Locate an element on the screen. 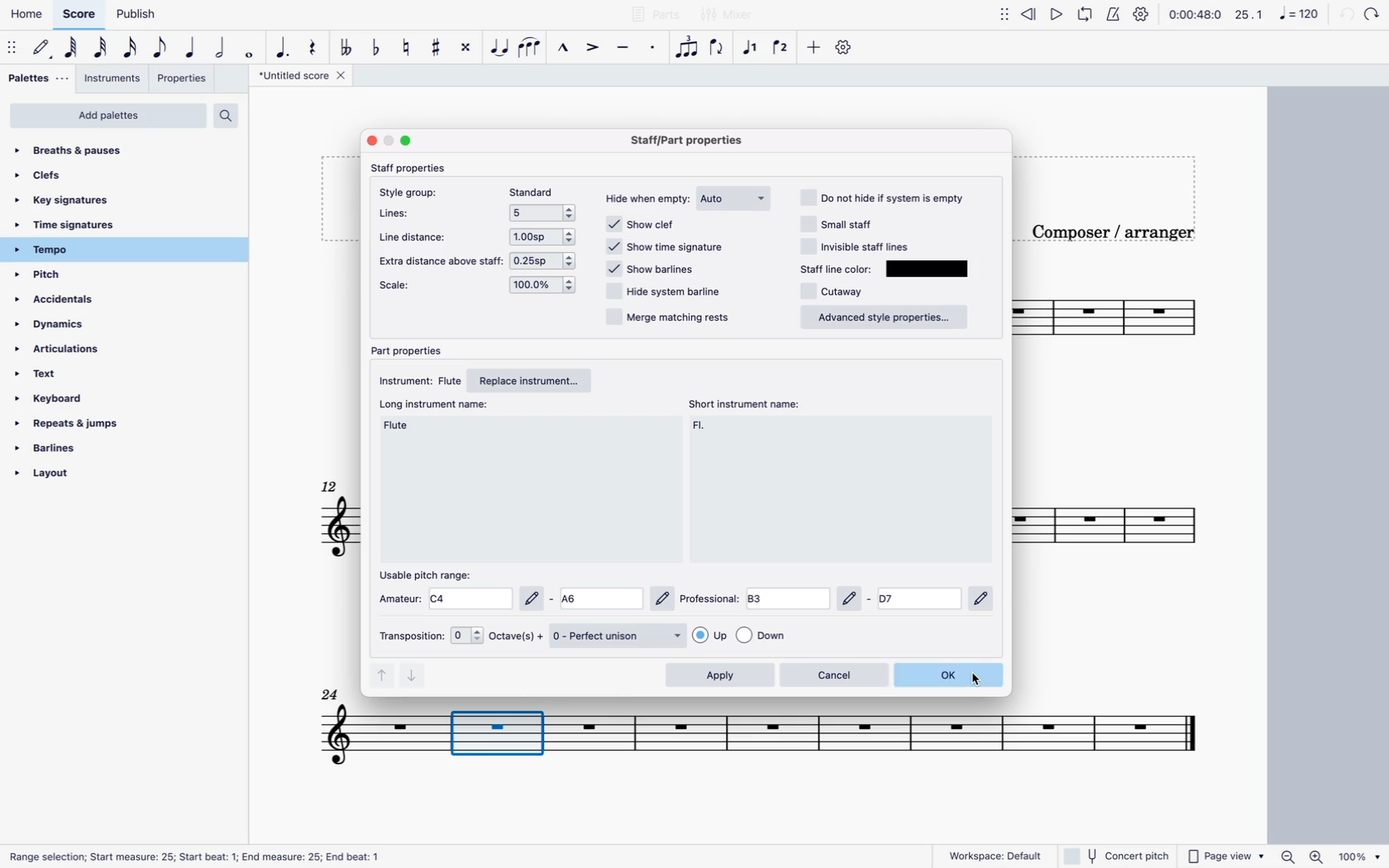 This screenshot has height=868, width=1389. clefs is located at coordinates (55, 179).